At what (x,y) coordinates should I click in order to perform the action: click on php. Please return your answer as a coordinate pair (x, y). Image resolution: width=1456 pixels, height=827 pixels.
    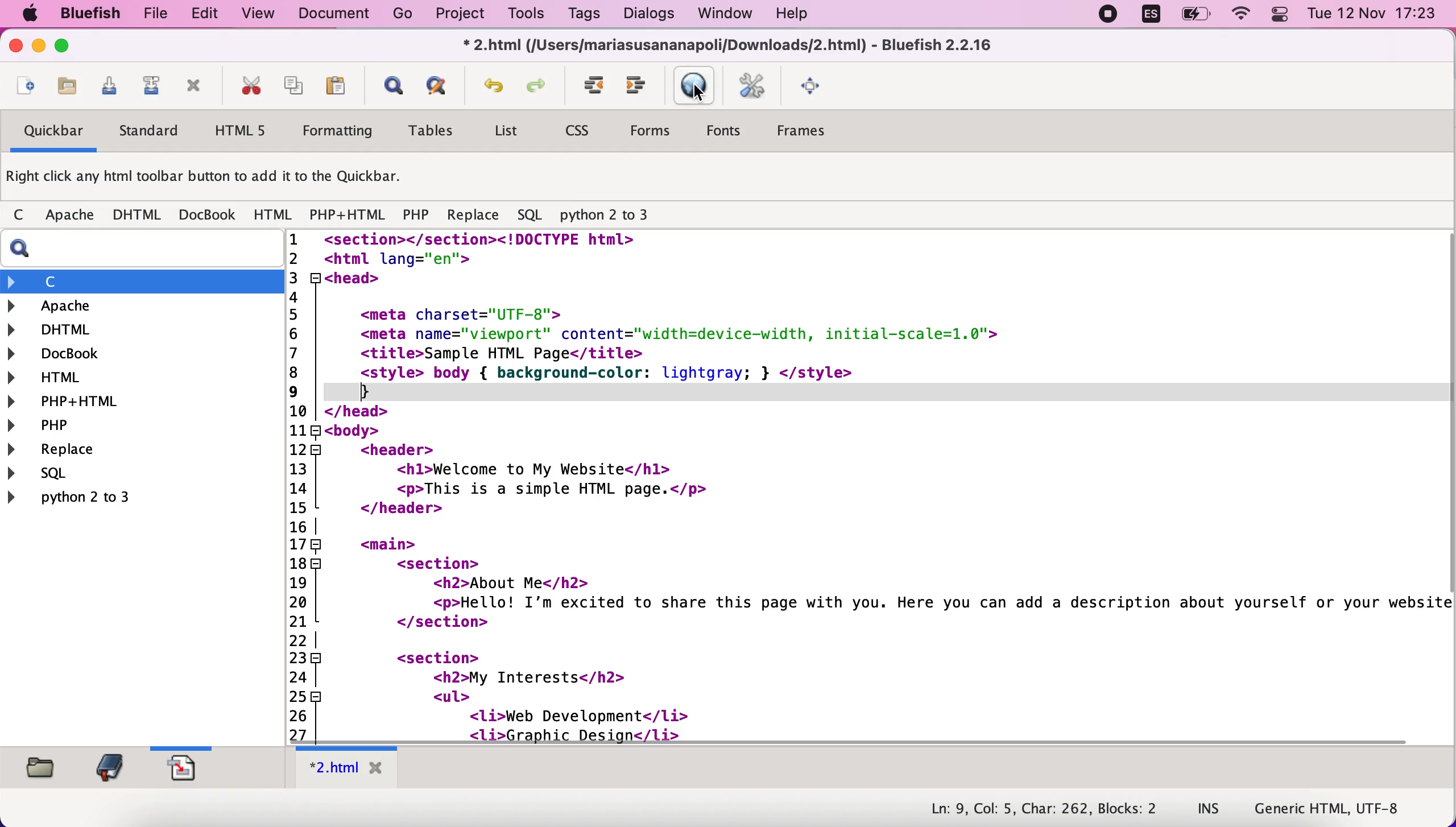
    Looking at the image, I should click on (135, 426).